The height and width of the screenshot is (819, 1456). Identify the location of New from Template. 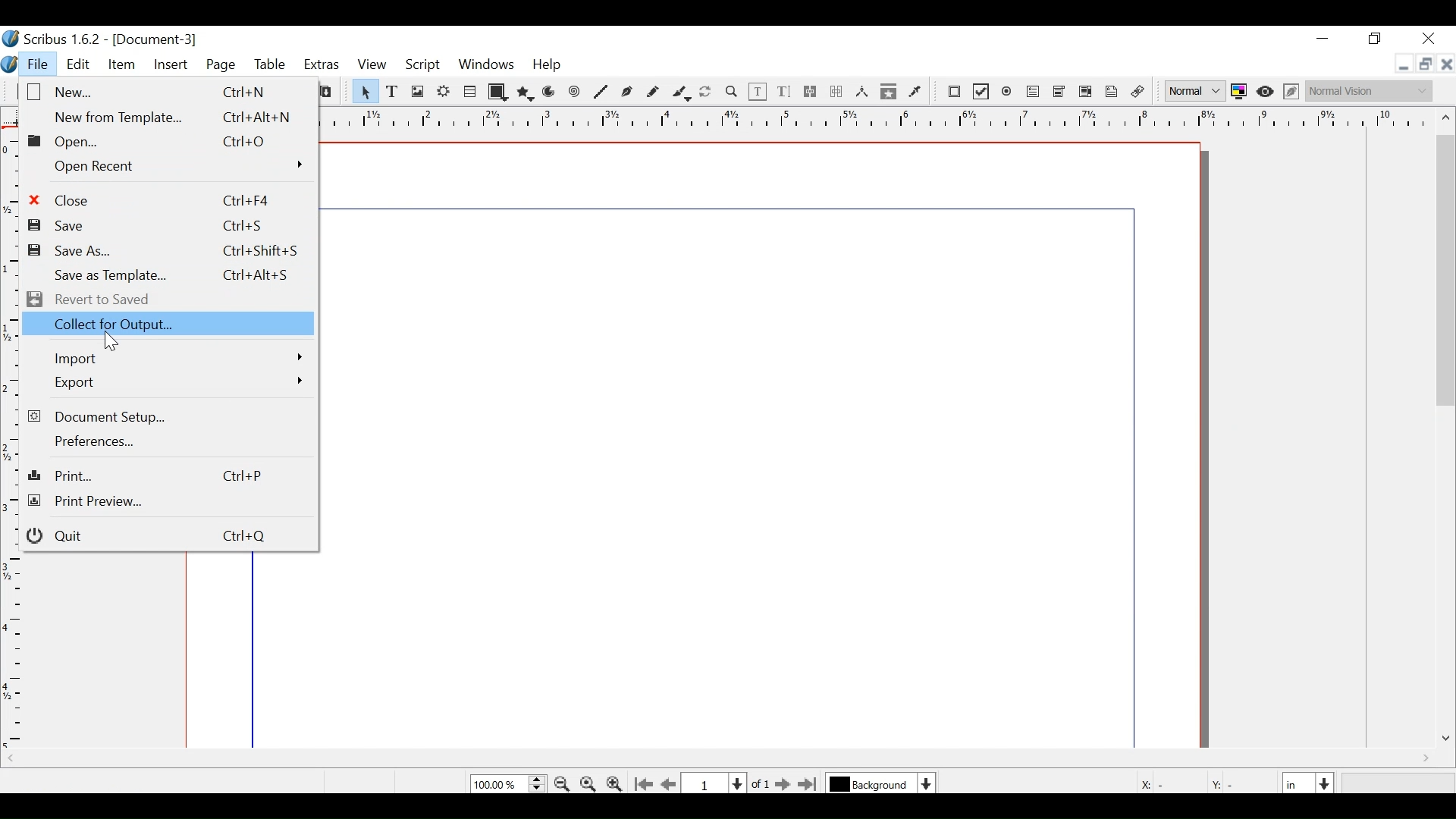
(171, 116).